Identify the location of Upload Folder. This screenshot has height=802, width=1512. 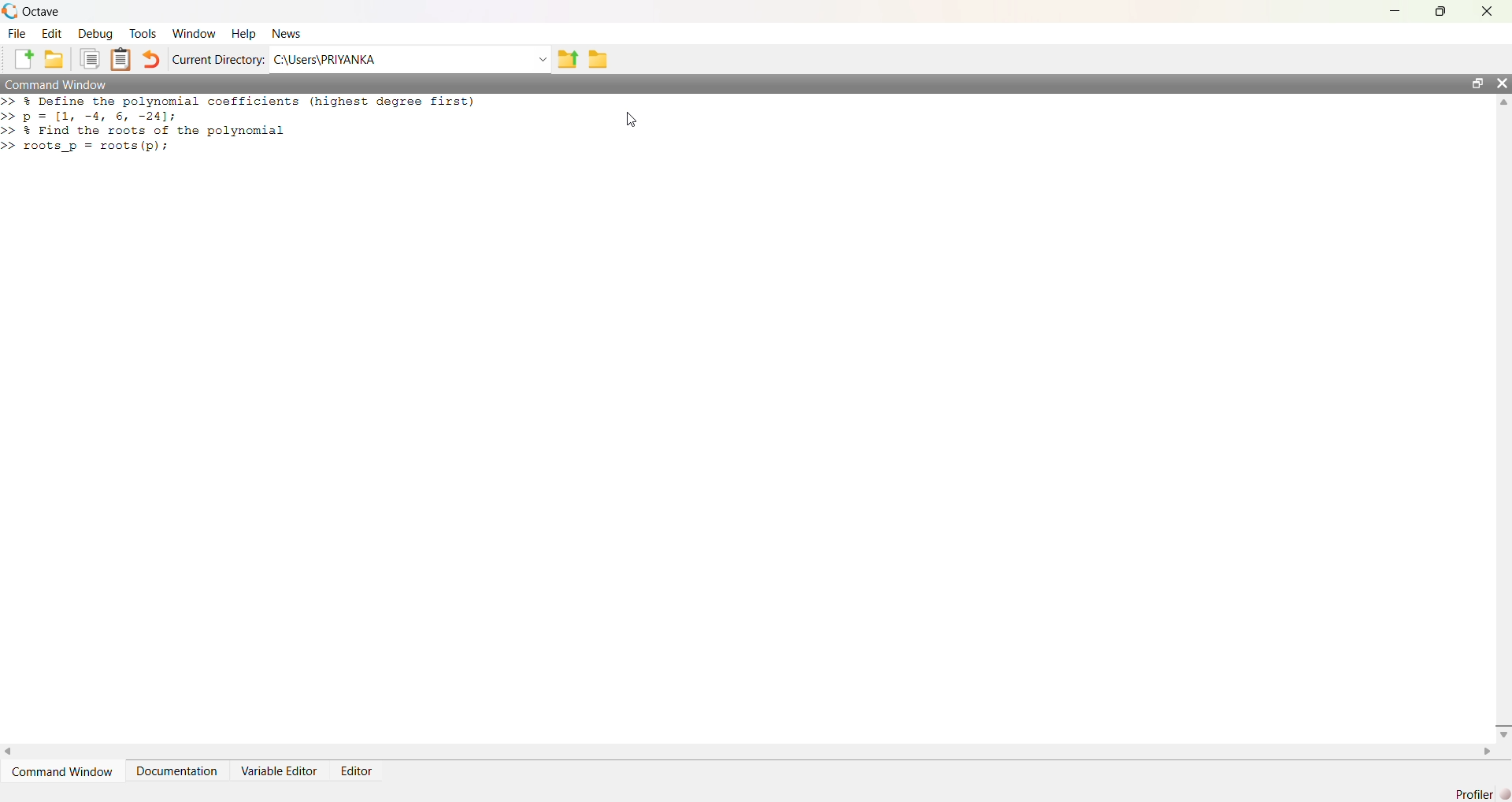
(569, 60).